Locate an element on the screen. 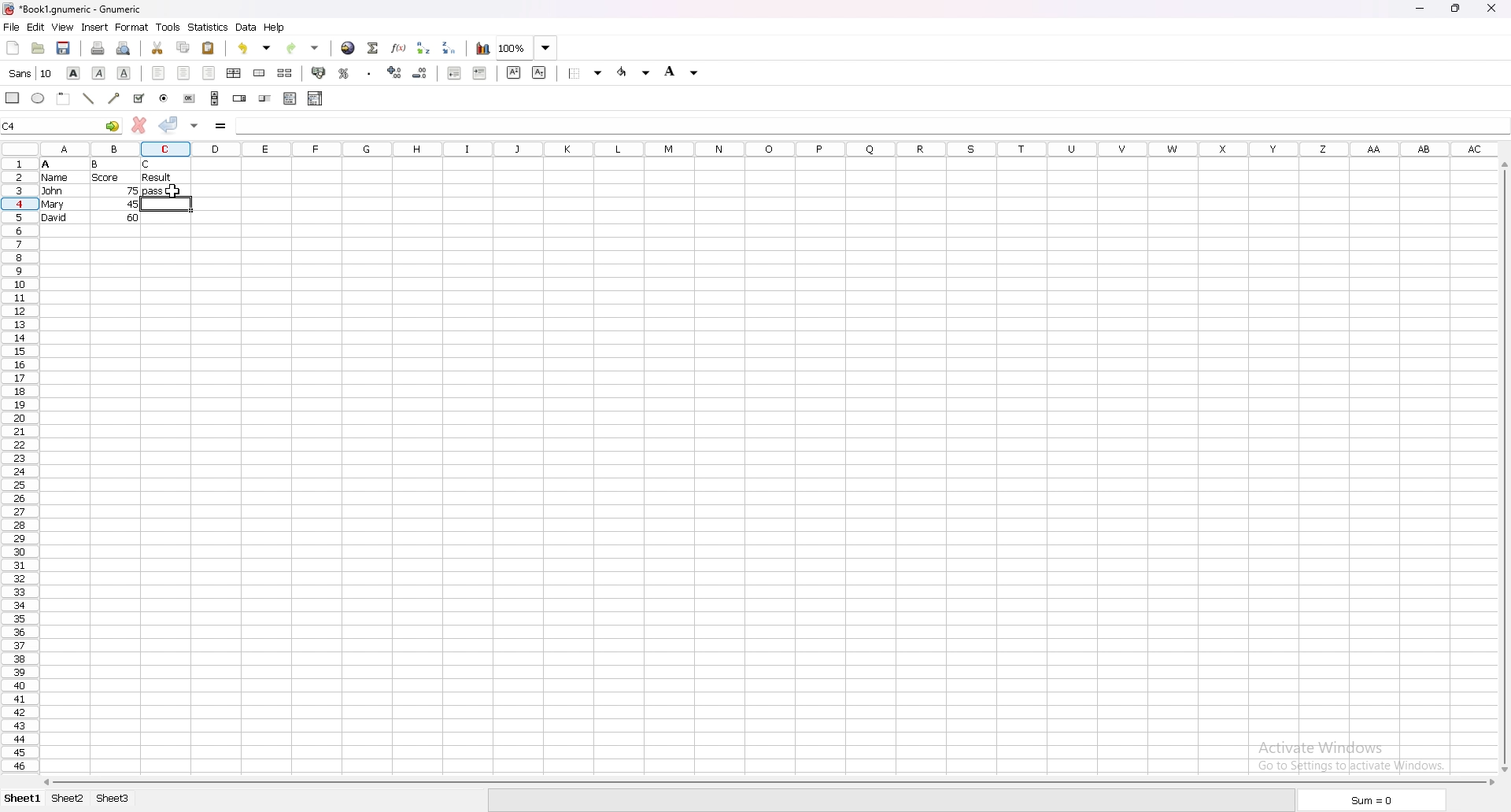 Image resolution: width=1511 pixels, height=812 pixels. font is located at coordinates (31, 73).